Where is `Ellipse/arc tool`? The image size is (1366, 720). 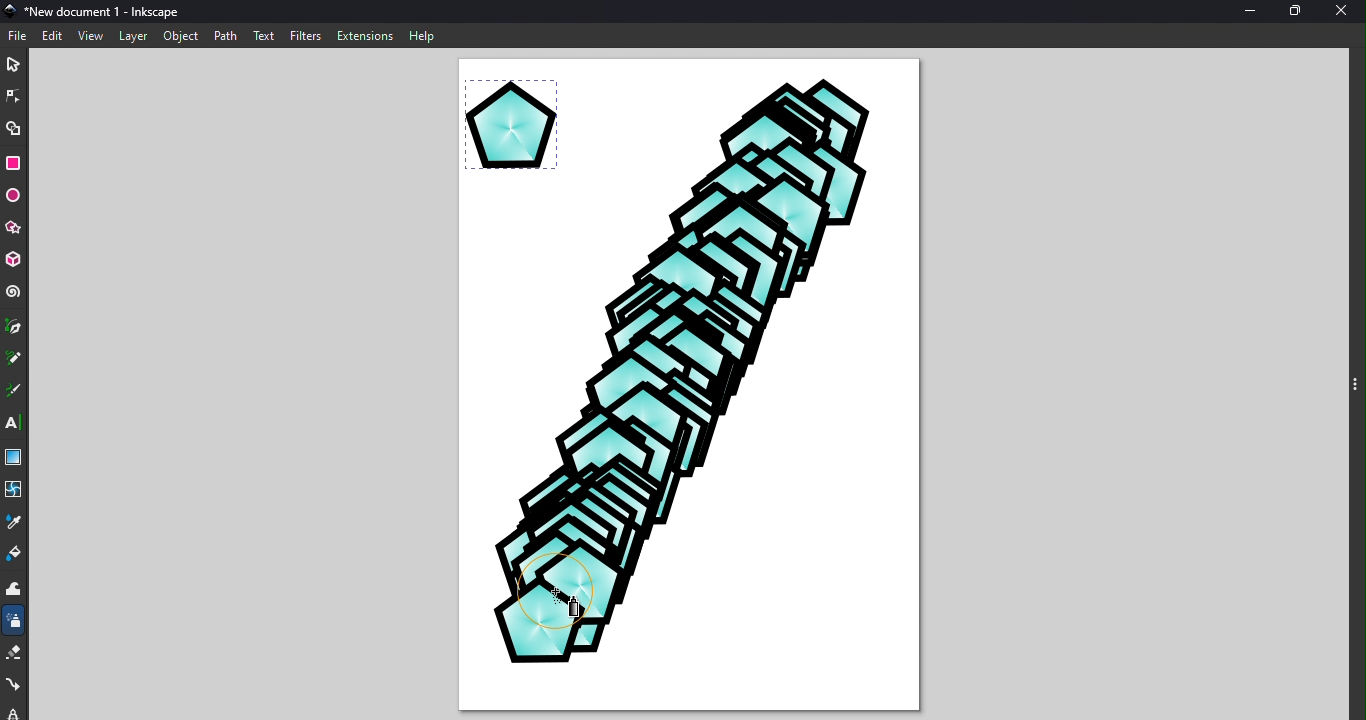 Ellipse/arc tool is located at coordinates (16, 196).